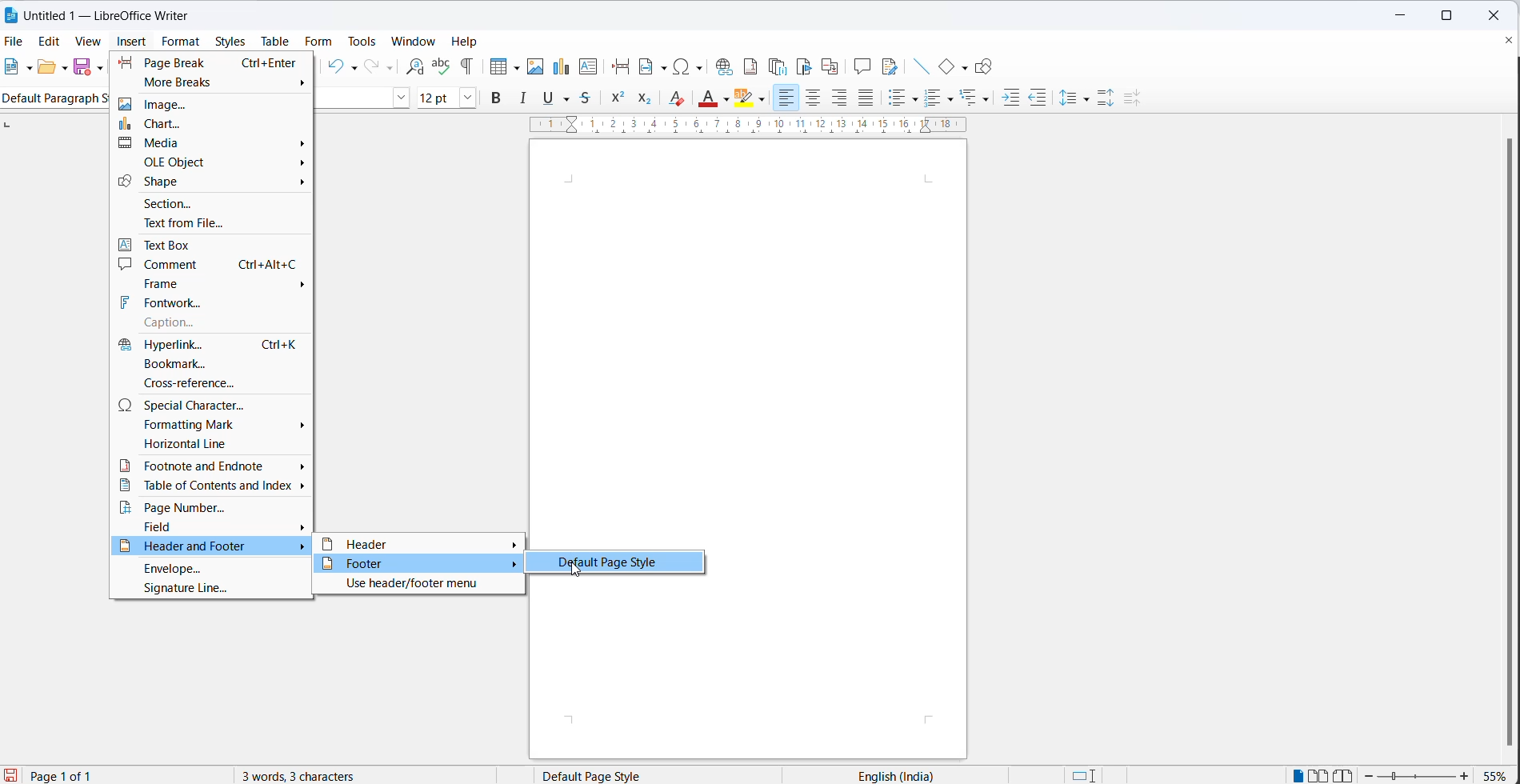  What do you see at coordinates (726, 67) in the screenshot?
I see `insert hyperlinks` at bounding box center [726, 67].